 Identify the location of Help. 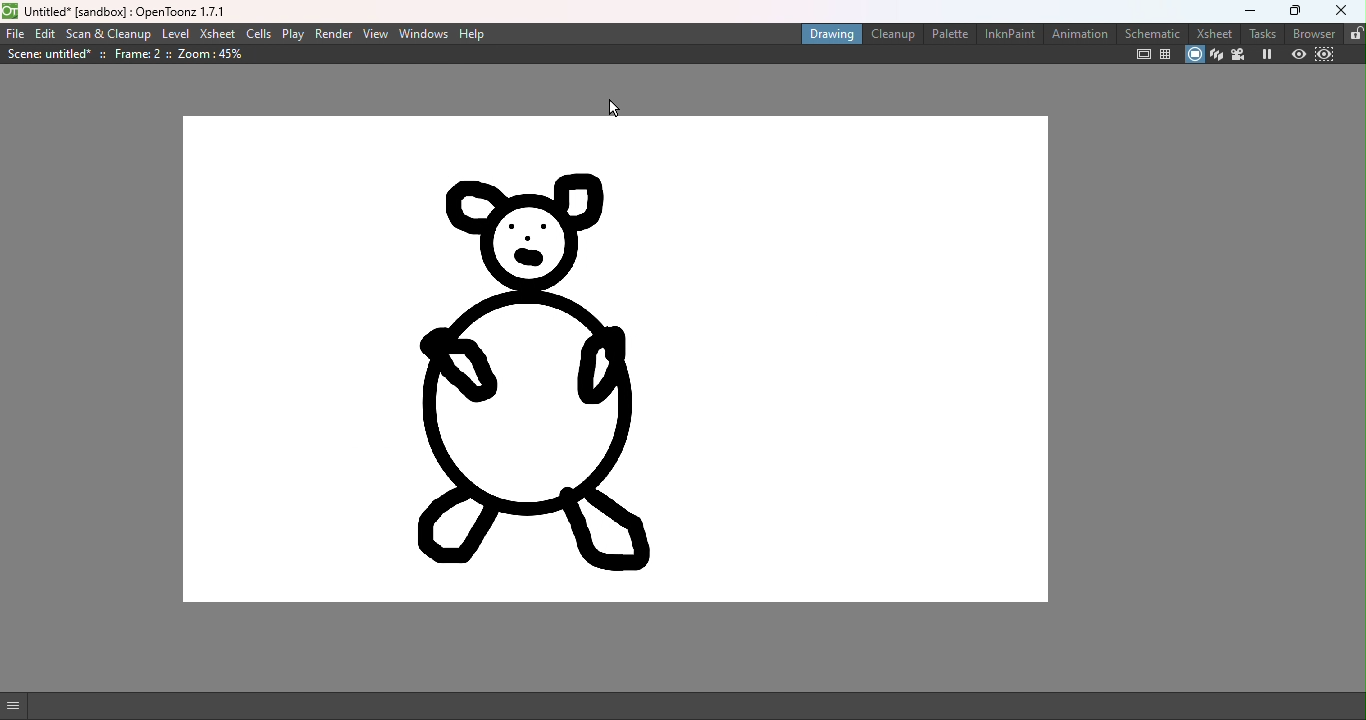
(476, 34).